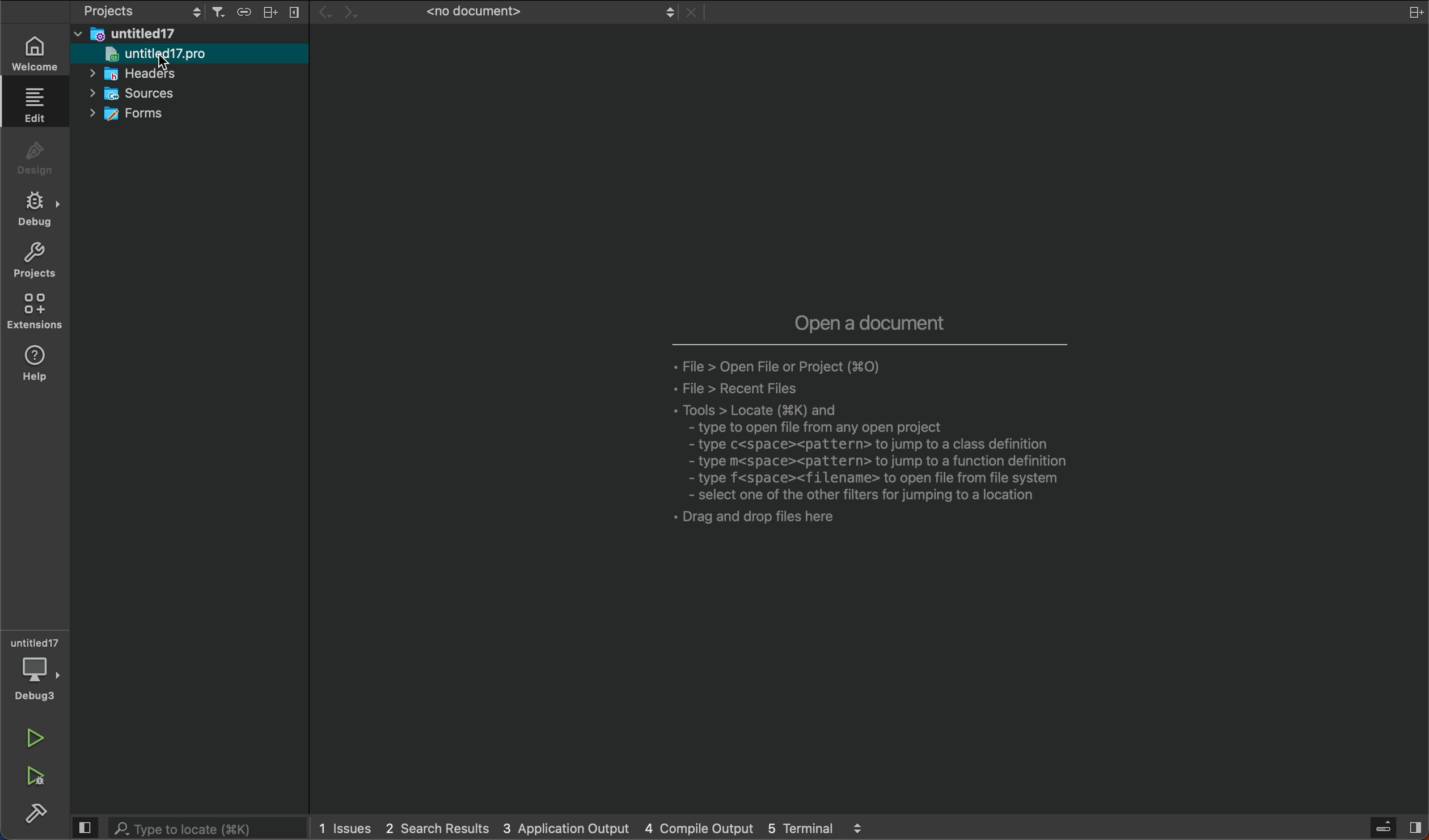 The image size is (1429, 840). What do you see at coordinates (39, 209) in the screenshot?
I see `debug` at bounding box center [39, 209].